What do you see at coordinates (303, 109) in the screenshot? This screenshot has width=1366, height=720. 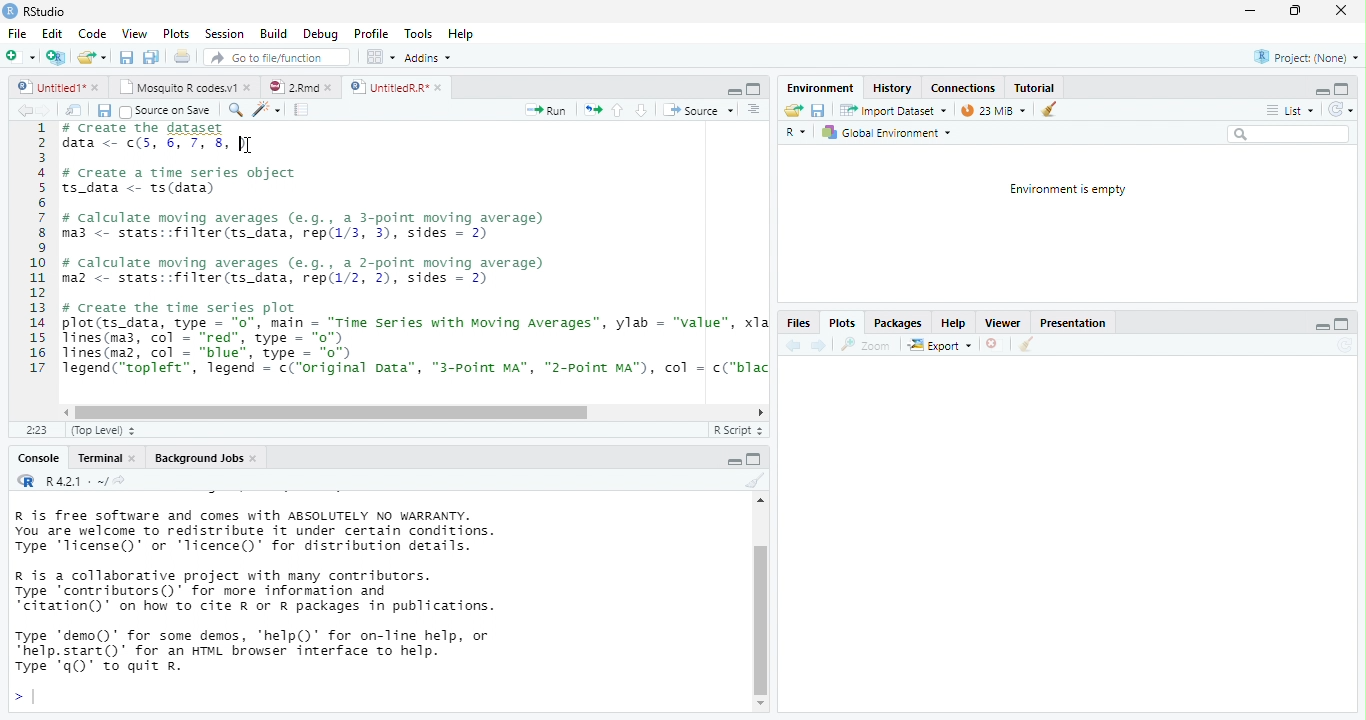 I see `compile report` at bounding box center [303, 109].